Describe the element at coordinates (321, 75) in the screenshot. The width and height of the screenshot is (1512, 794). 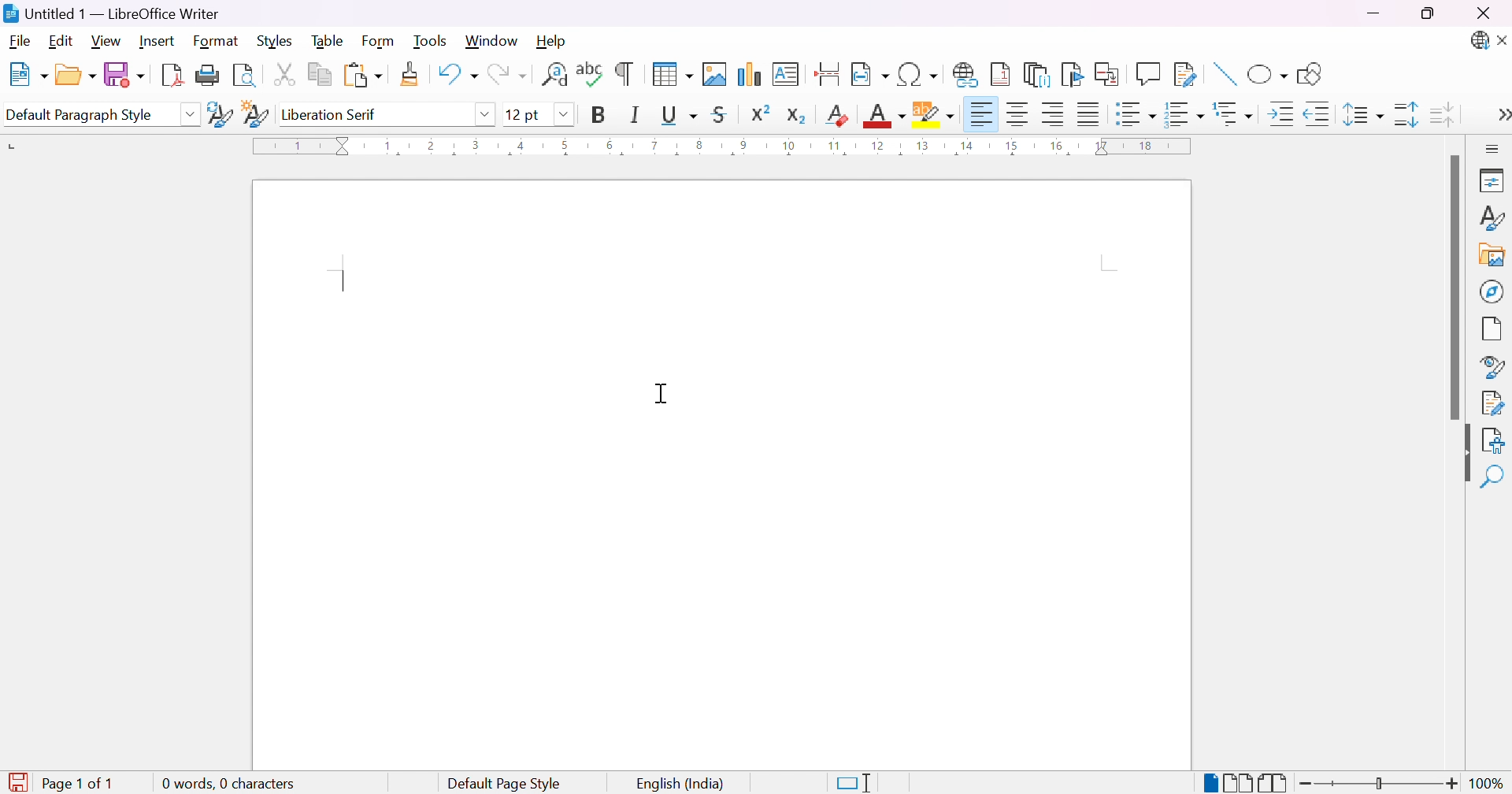
I see `Copy` at that location.